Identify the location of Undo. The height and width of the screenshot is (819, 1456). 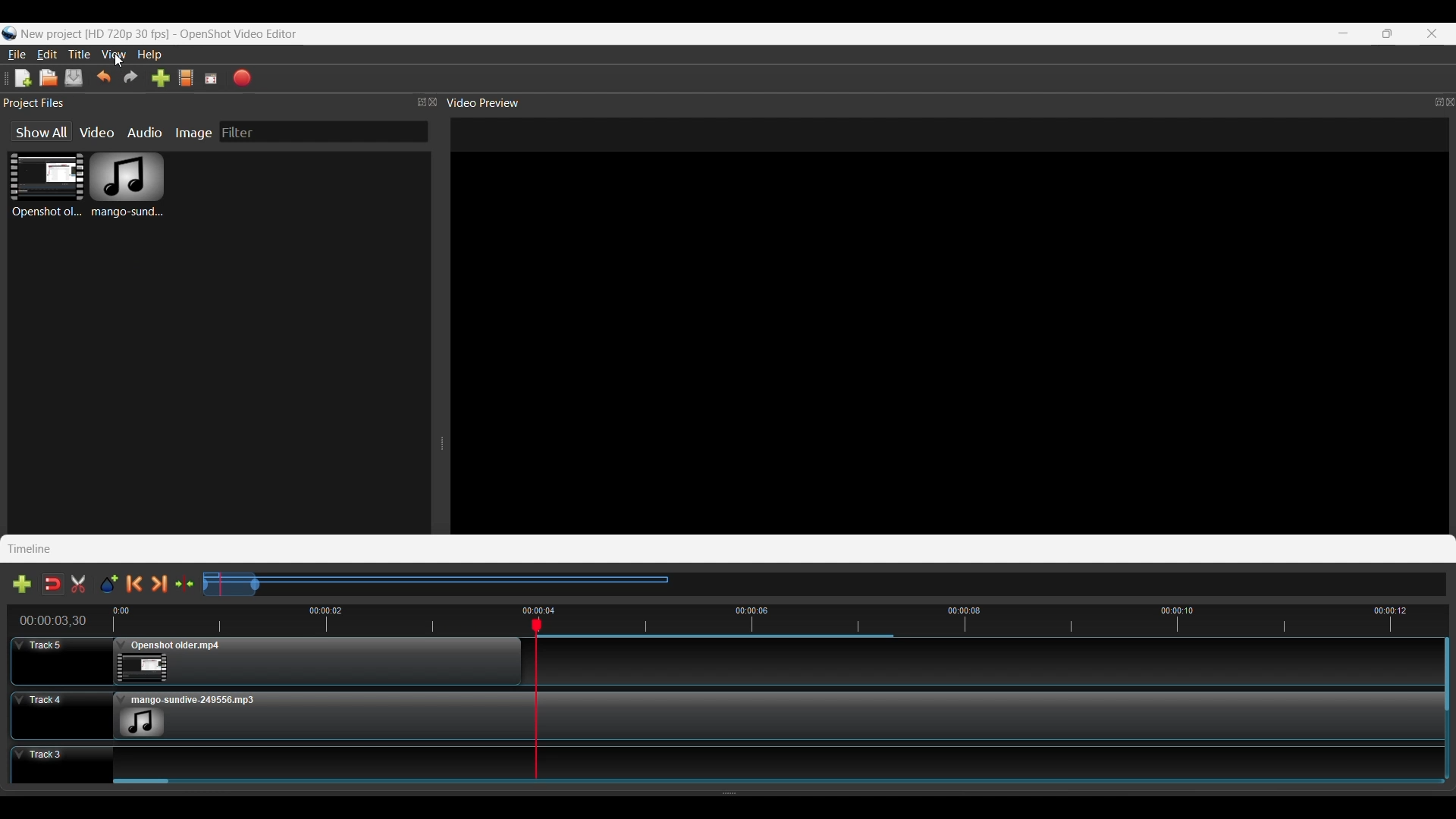
(105, 77).